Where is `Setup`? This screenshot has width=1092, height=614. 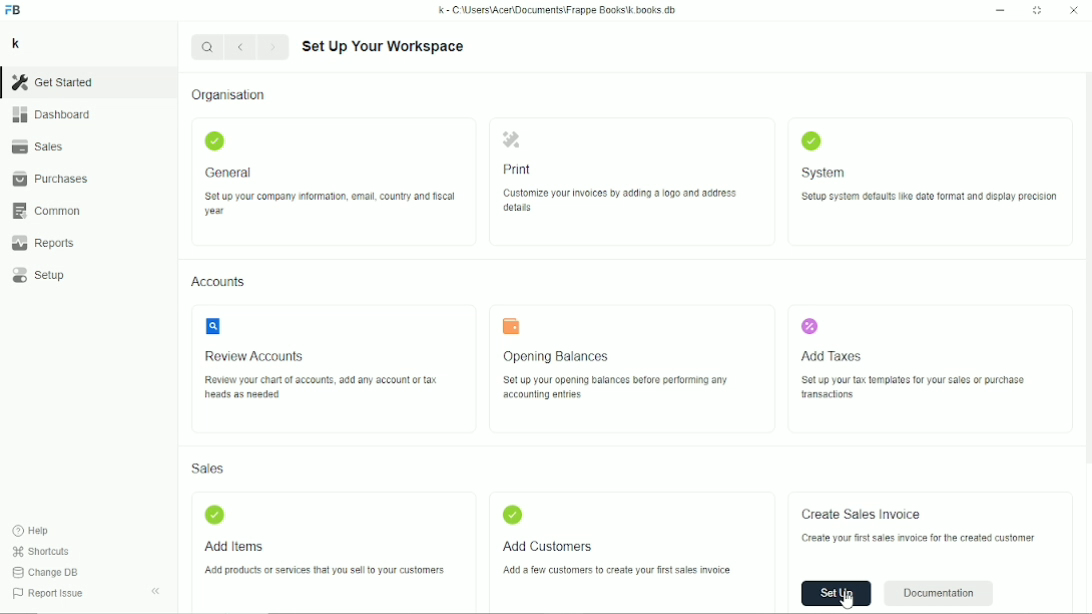
Setup is located at coordinates (40, 275).